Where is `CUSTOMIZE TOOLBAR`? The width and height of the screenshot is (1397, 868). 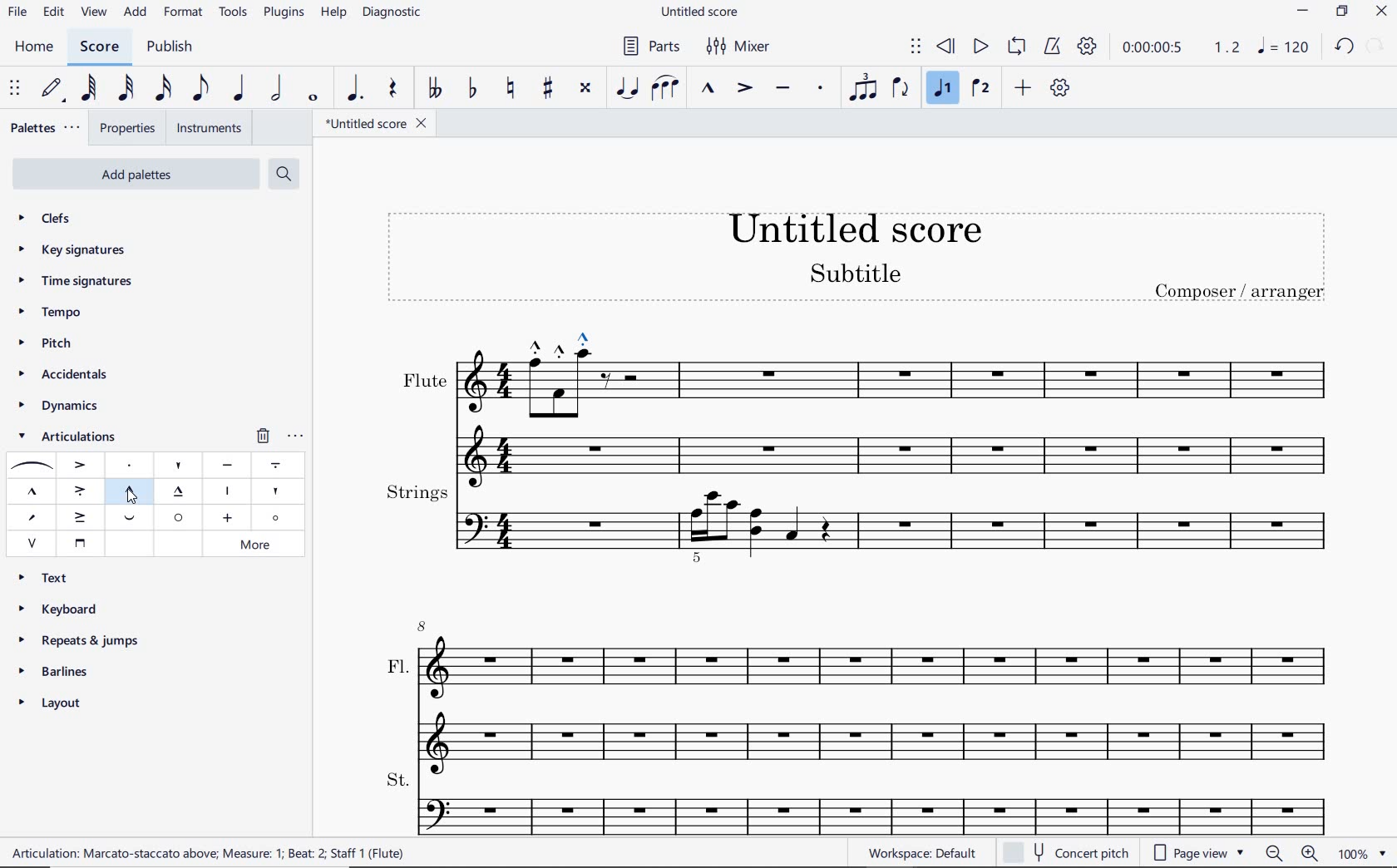 CUSTOMIZE TOOLBAR is located at coordinates (1063, 88).